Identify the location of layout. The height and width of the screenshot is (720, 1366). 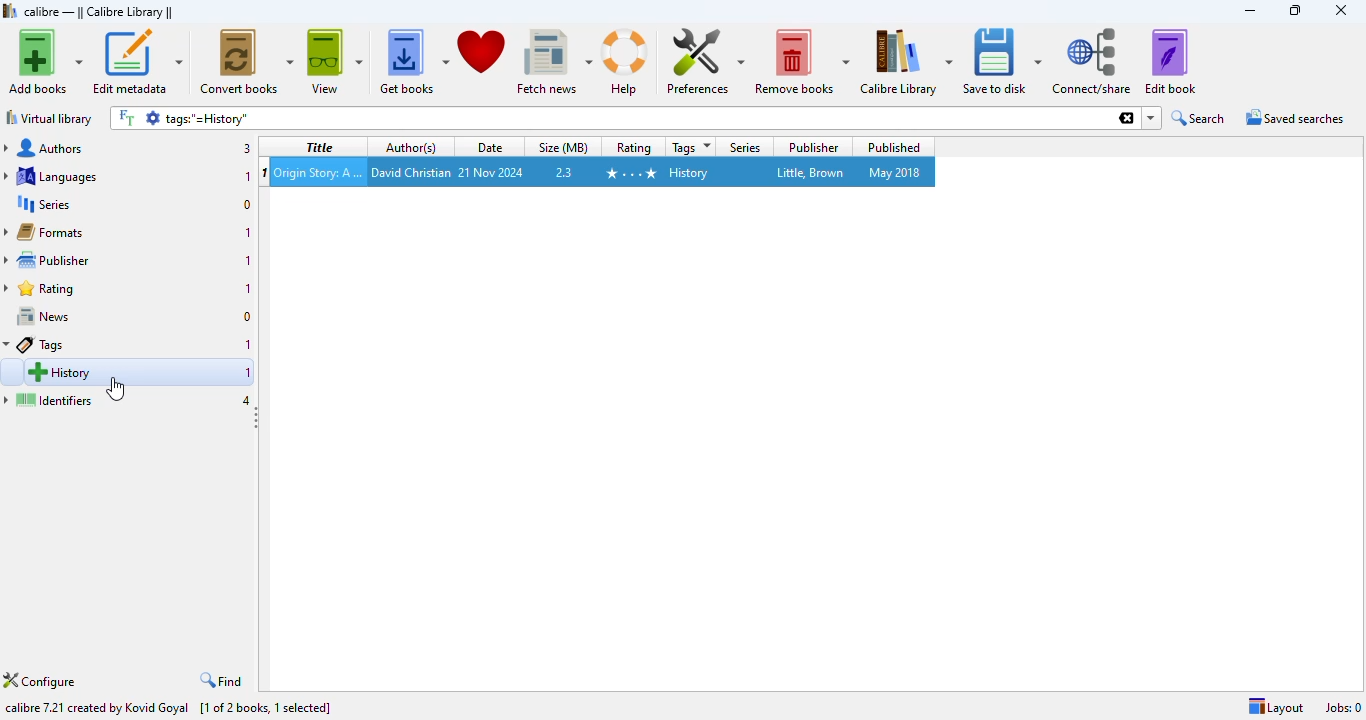
(1276, 707).